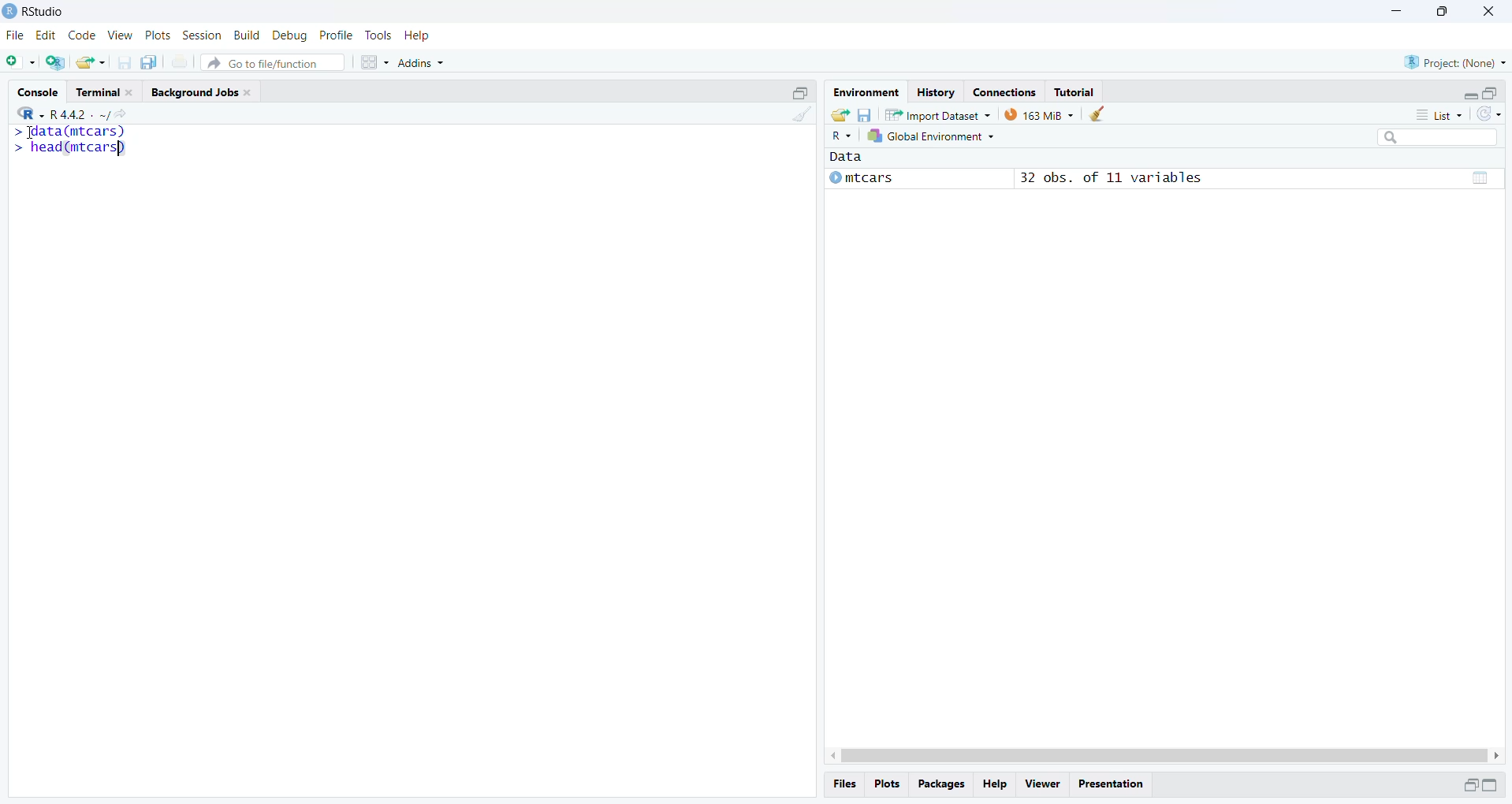 This screenshot has width=1512, height=804. Describe the element at coordinates (1488, 94) in the screenshot. I see `open in separate window` at that location.